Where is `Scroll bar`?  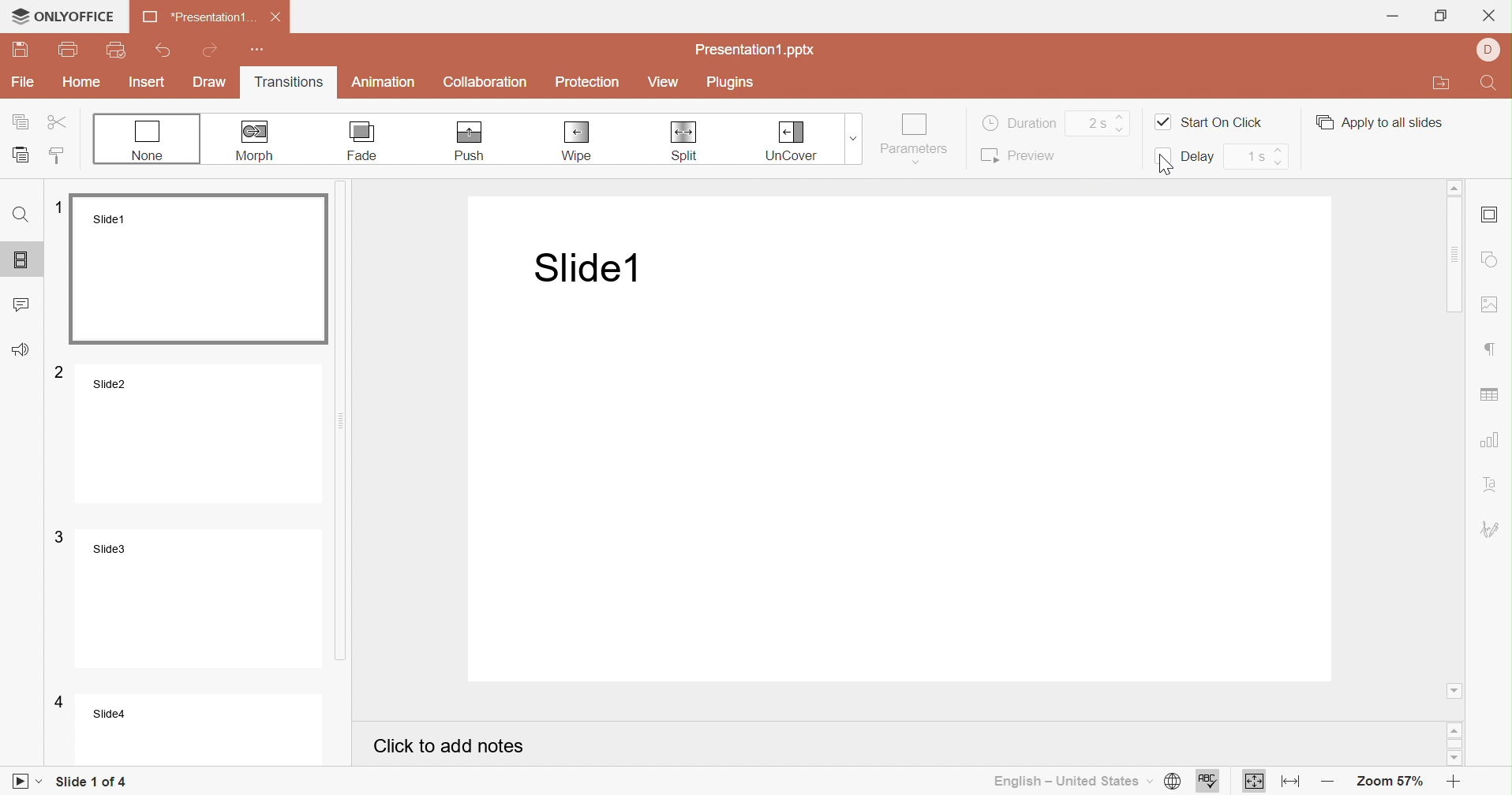 Scroll bar is located at coordinates (1456, 435).